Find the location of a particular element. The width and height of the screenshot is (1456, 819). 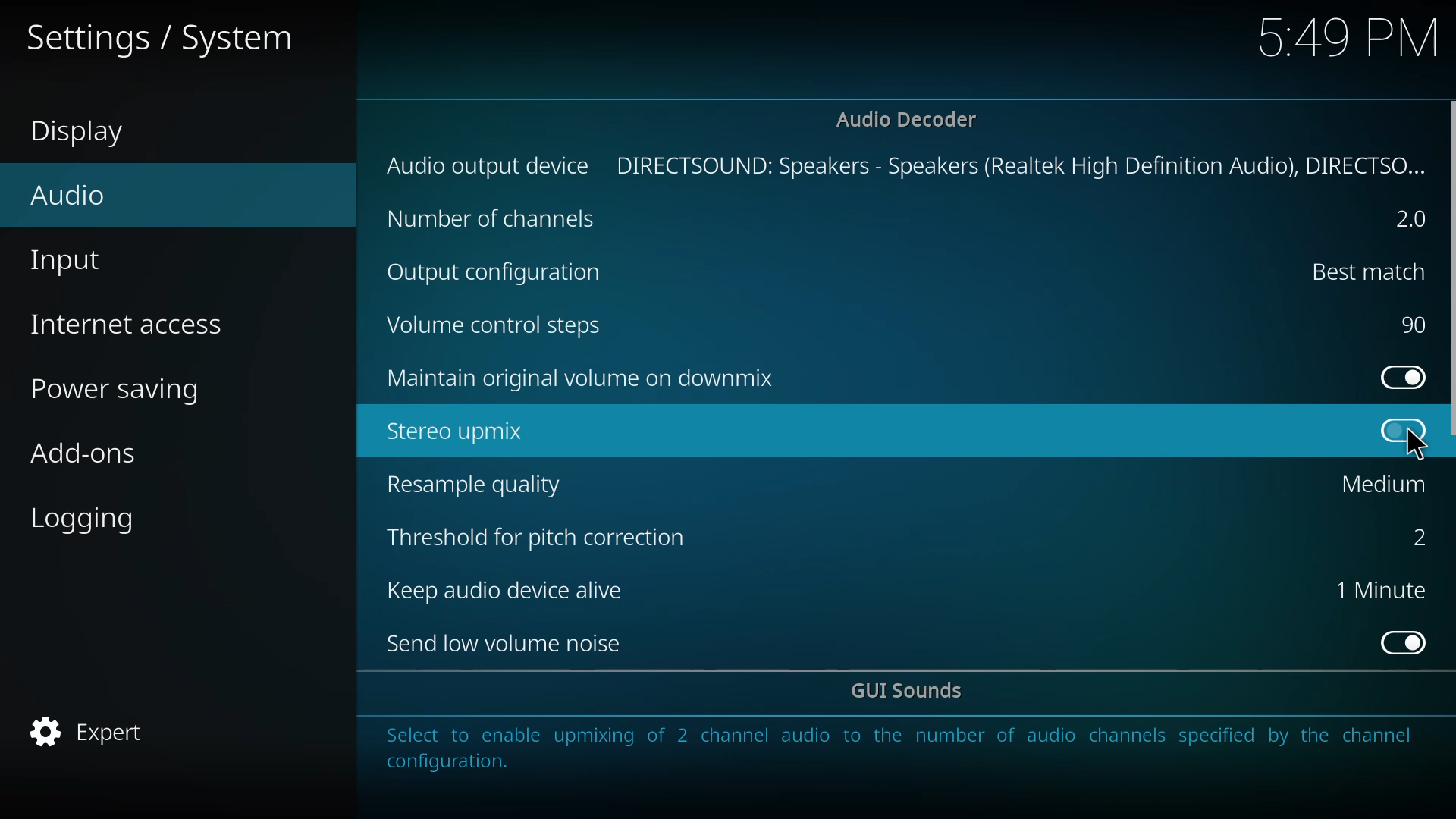

2 is located at coordinates (1416, 537).